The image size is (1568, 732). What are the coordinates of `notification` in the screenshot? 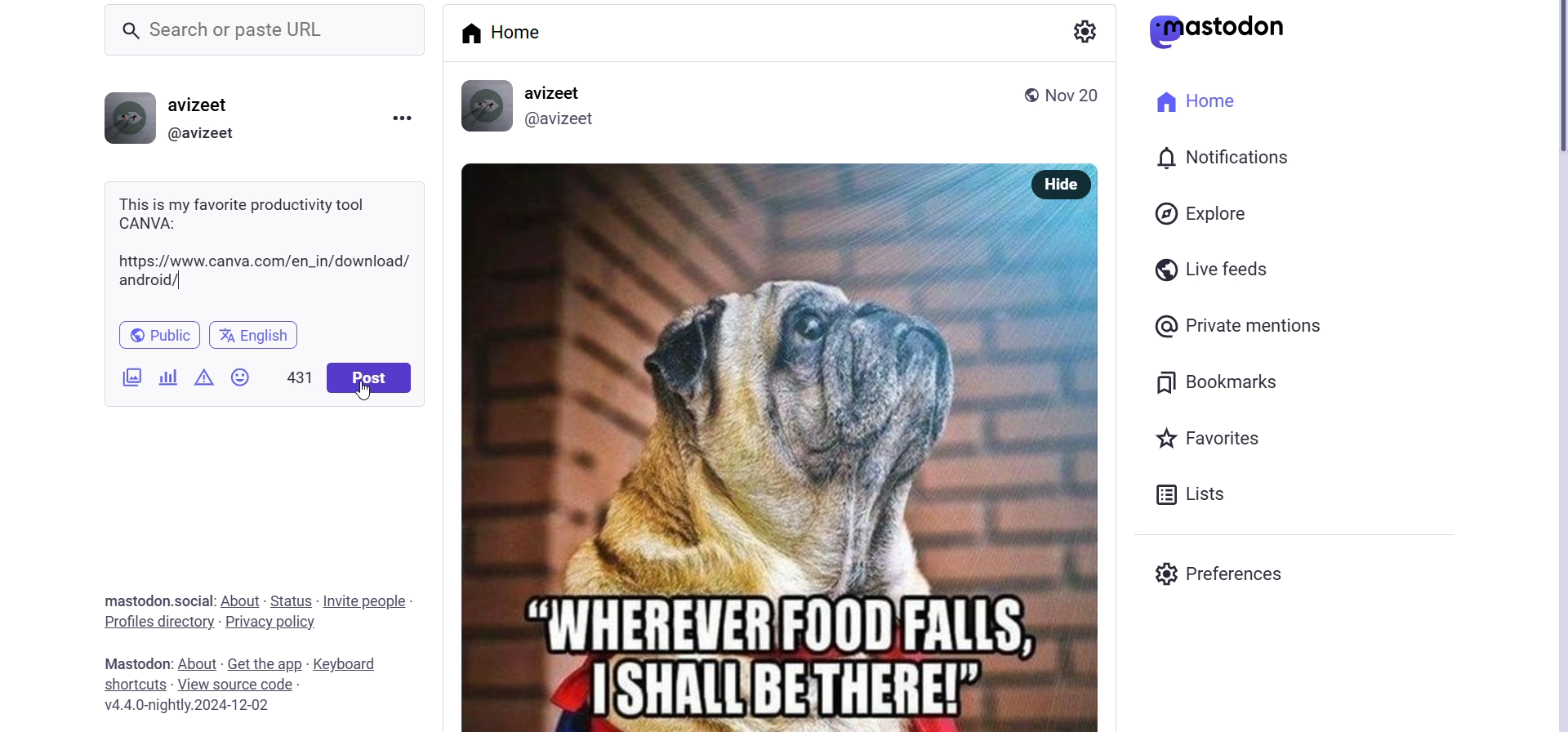 It's located at (1240, 159).